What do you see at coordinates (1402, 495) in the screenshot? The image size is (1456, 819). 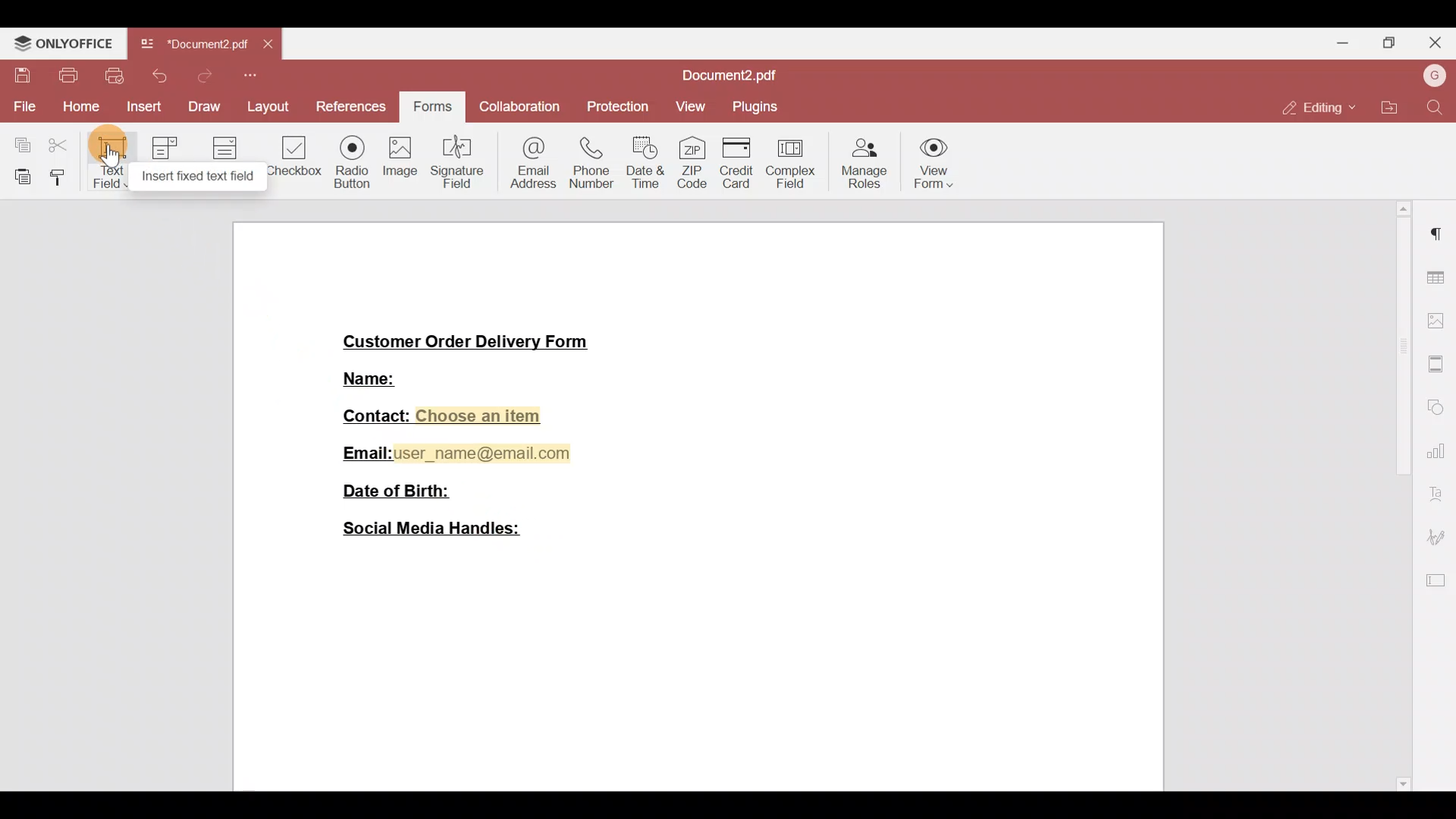 I see `Scroll bar` at bounding box center [1402, 495].